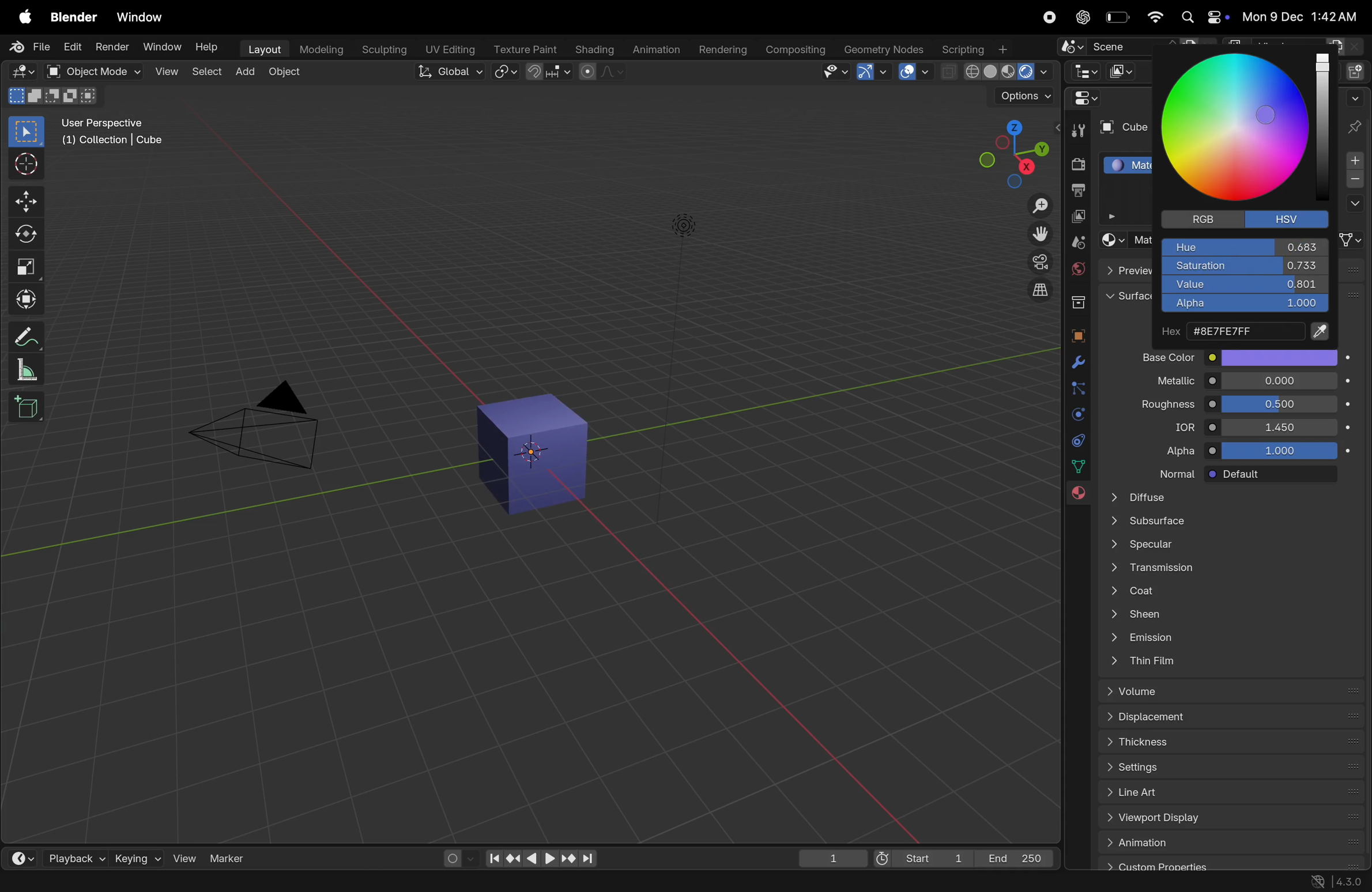  I want to click on scene, so click(1076, 242).